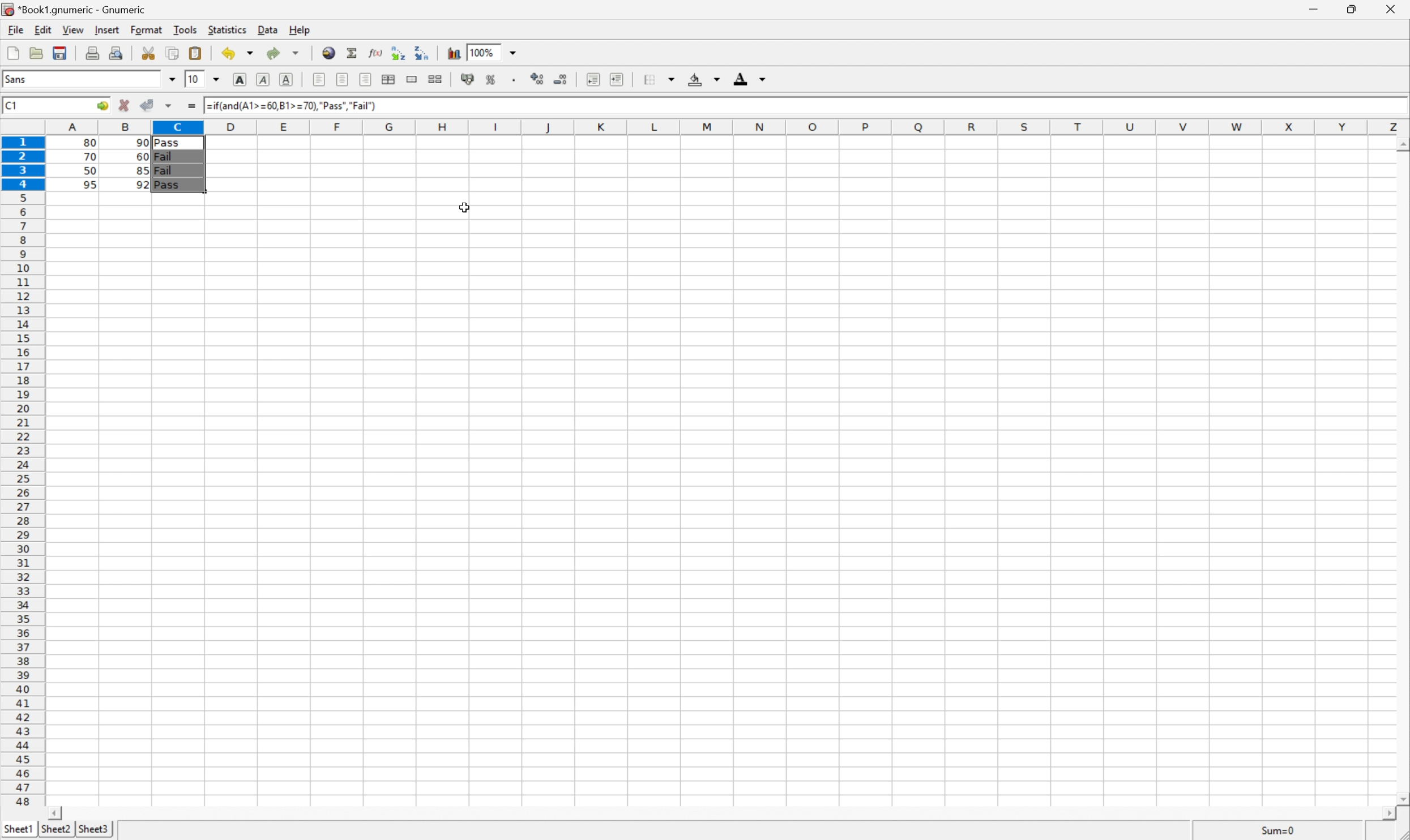 The width and height of the screenshot is (1410, 840). I want to click on Center horizontally across selection, so click(391, 78).